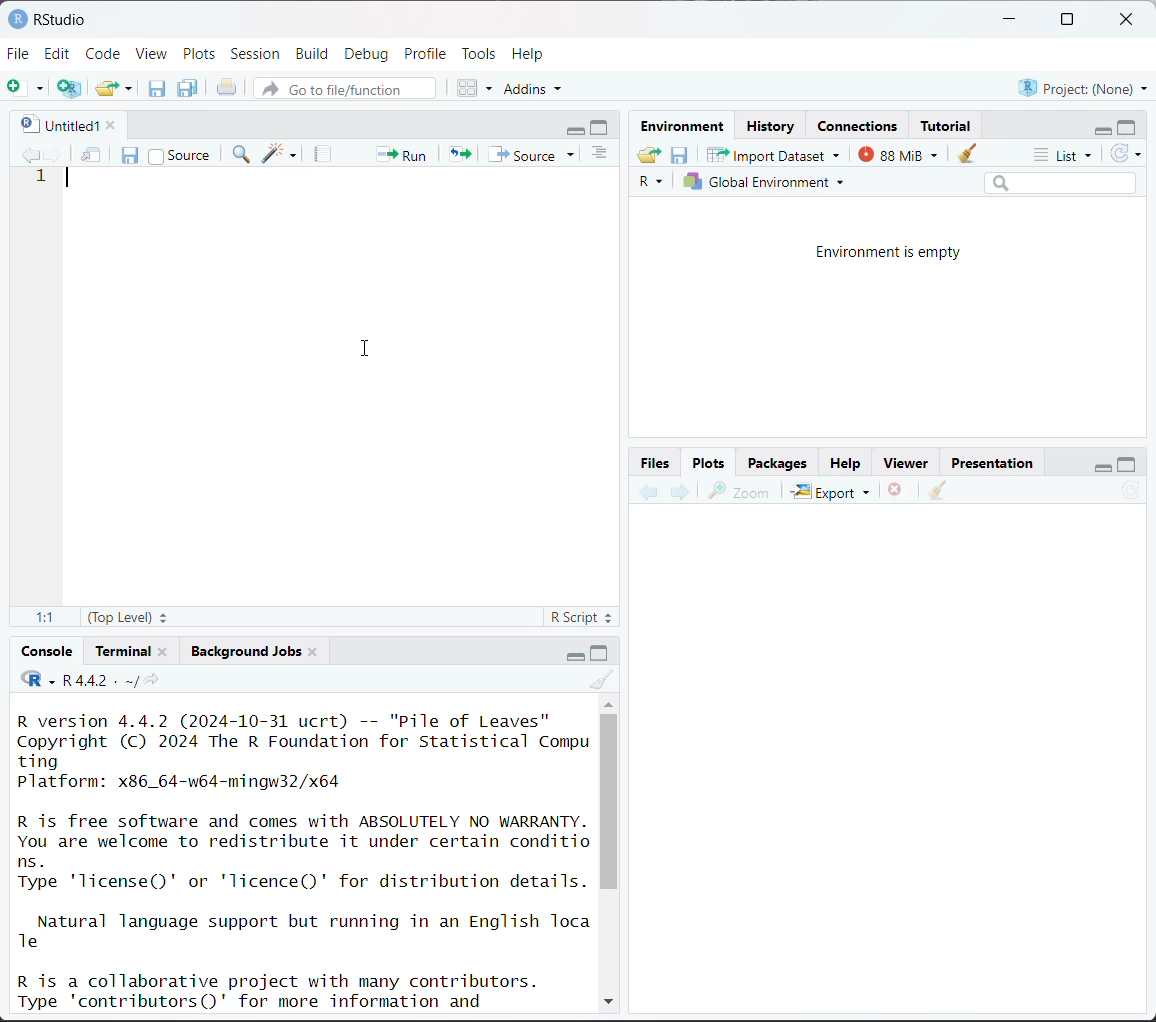 This screenshot has width=1156, height=1022. What do you see at coordinates (48, 651) in the screenshot?
I see `Console` at bounding box center [48, 651].